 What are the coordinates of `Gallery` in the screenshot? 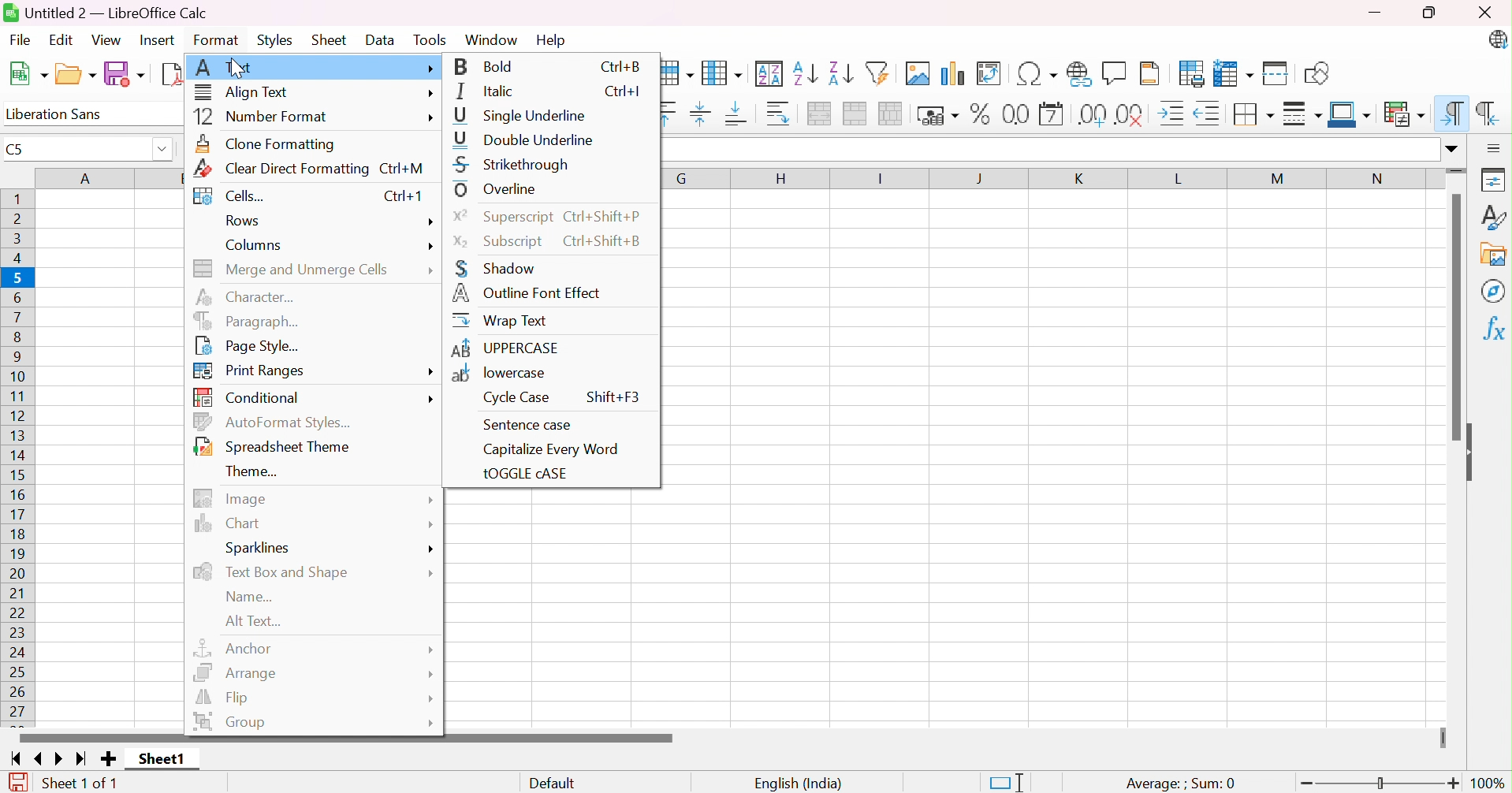 It's located at (1495, 255).